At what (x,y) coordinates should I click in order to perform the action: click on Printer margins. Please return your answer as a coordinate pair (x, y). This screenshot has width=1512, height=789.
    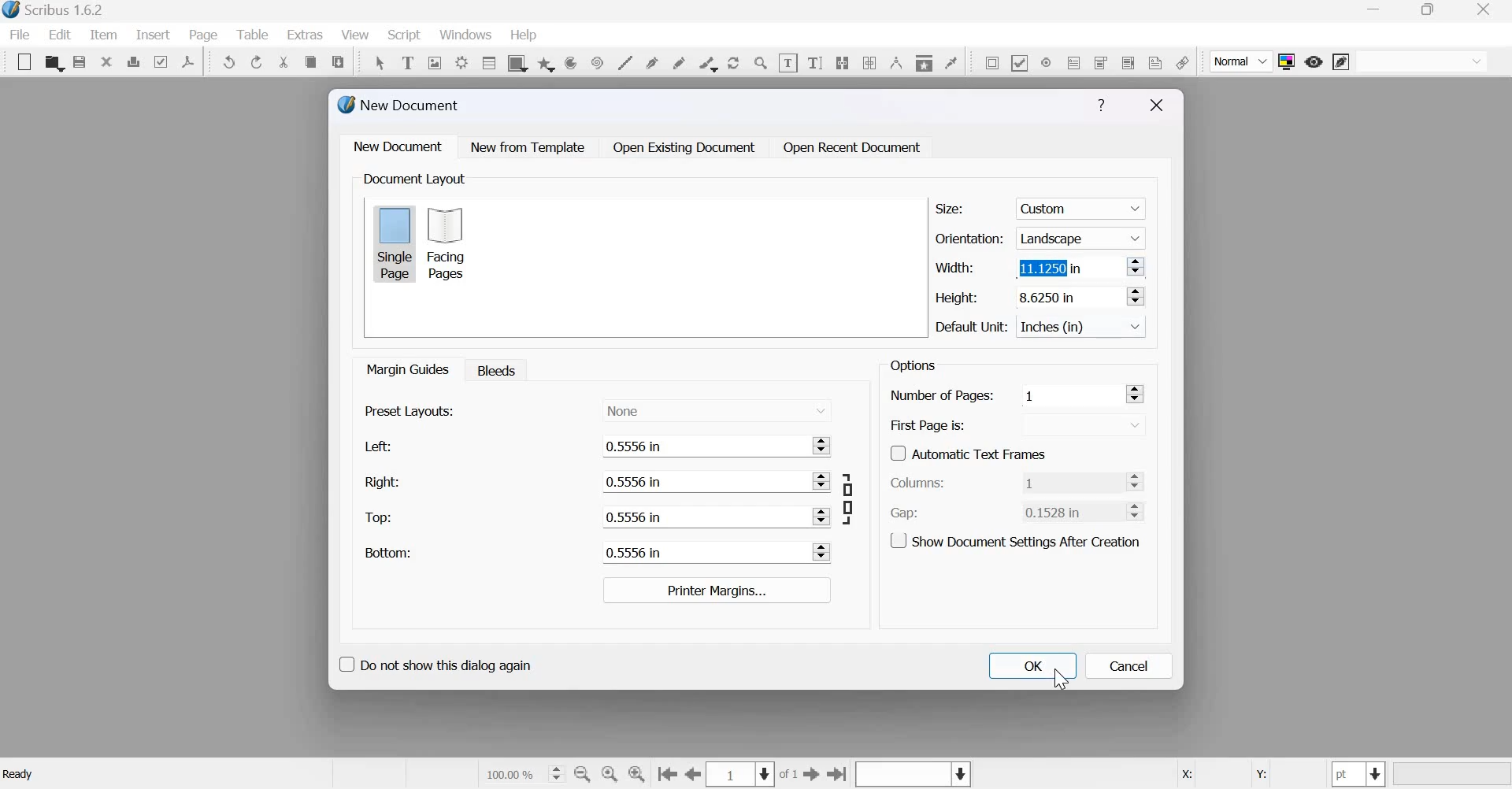
    Looking at the image, I should click on (715, 590).